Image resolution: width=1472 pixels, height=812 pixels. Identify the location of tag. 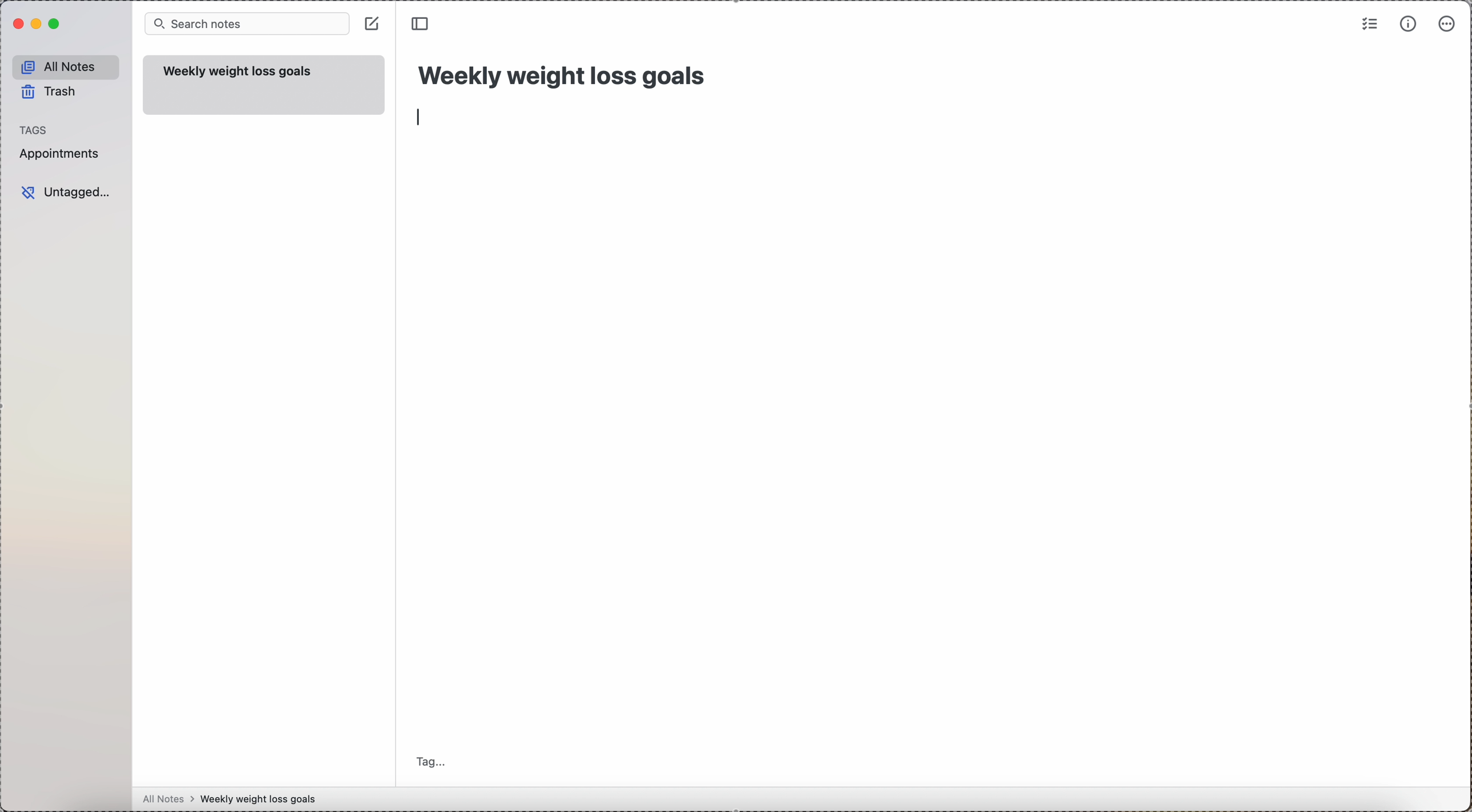
(435, 760).